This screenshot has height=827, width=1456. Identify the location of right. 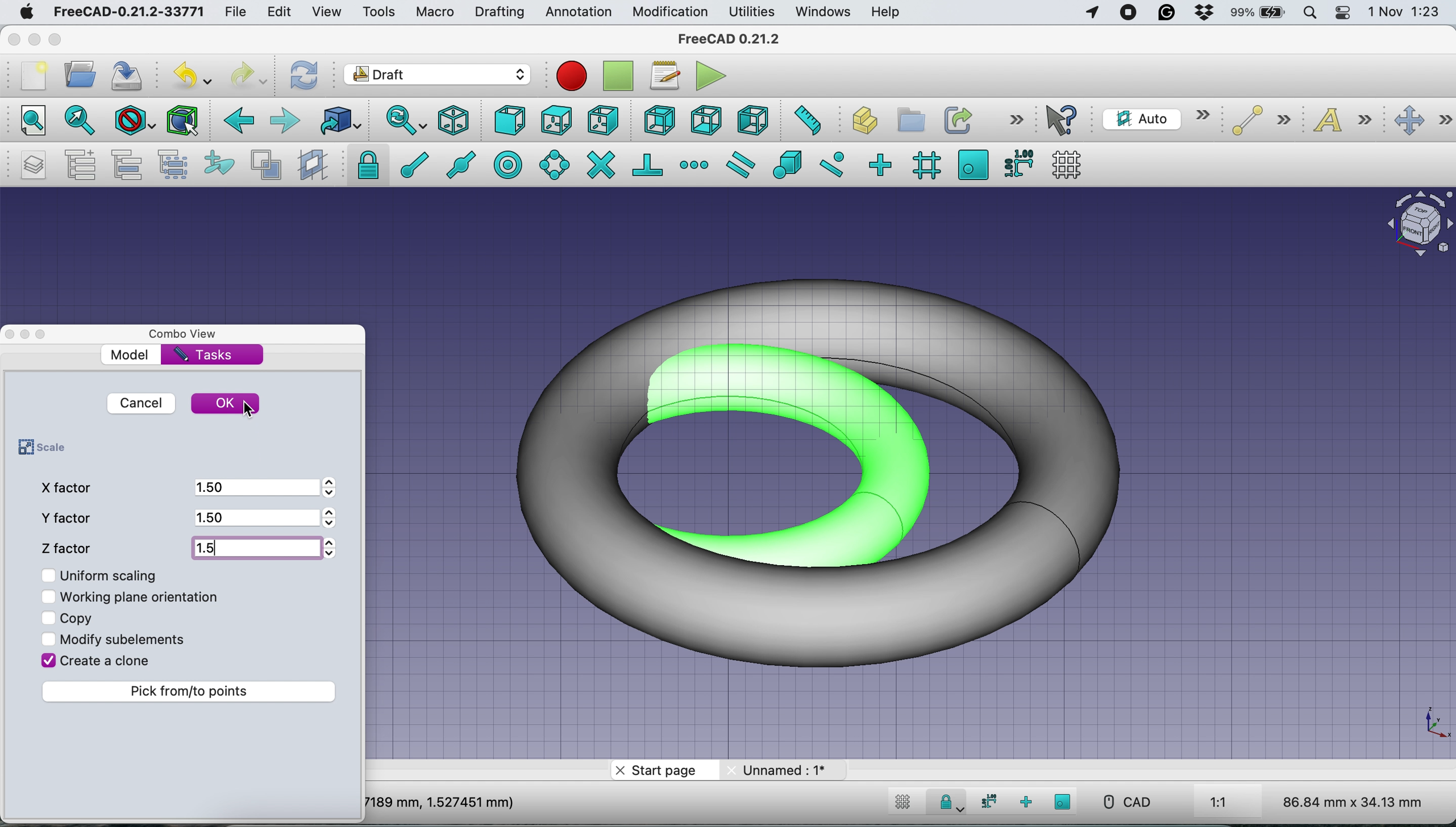
(602, 122).